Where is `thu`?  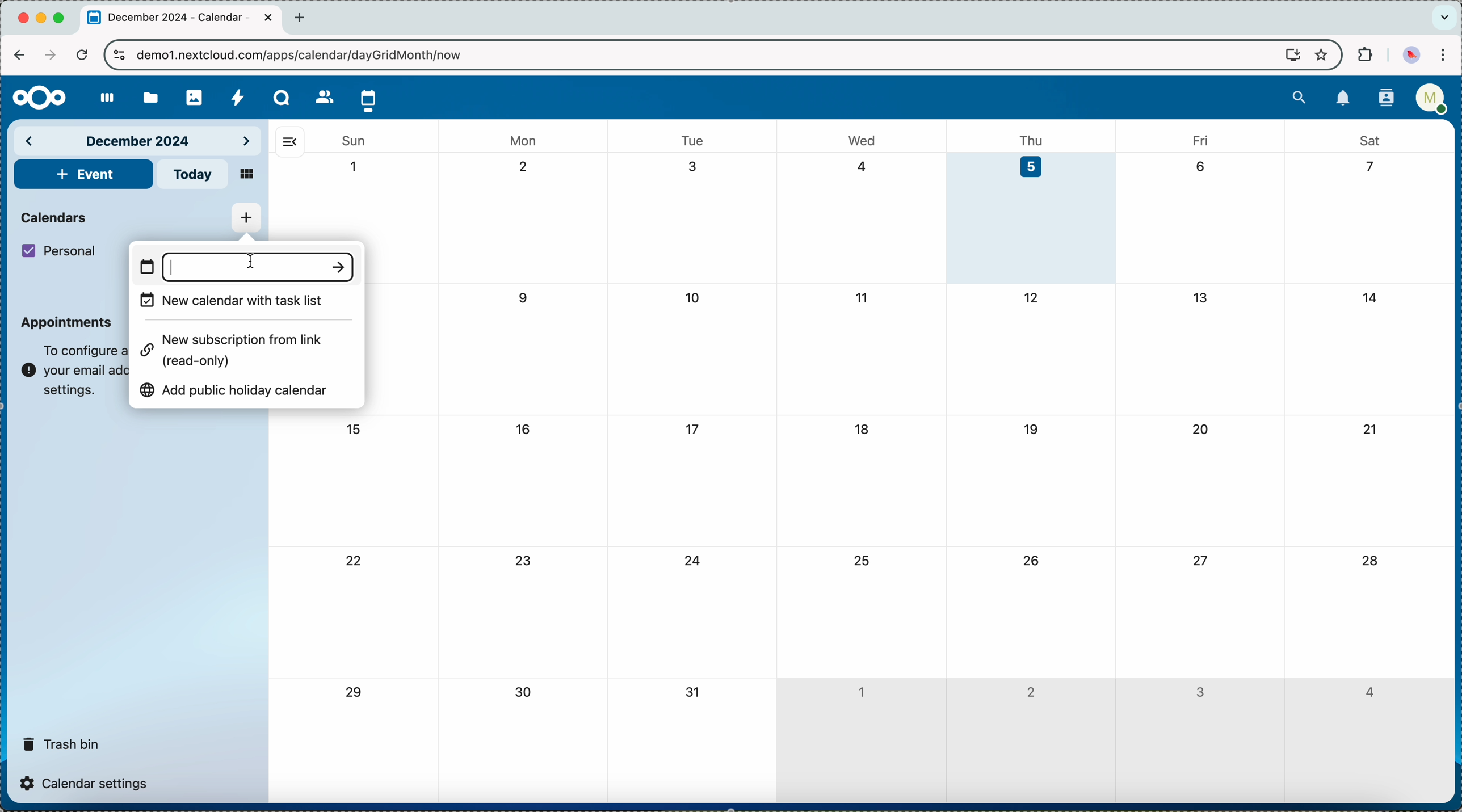
thu is located at coordinates (1036, 139).